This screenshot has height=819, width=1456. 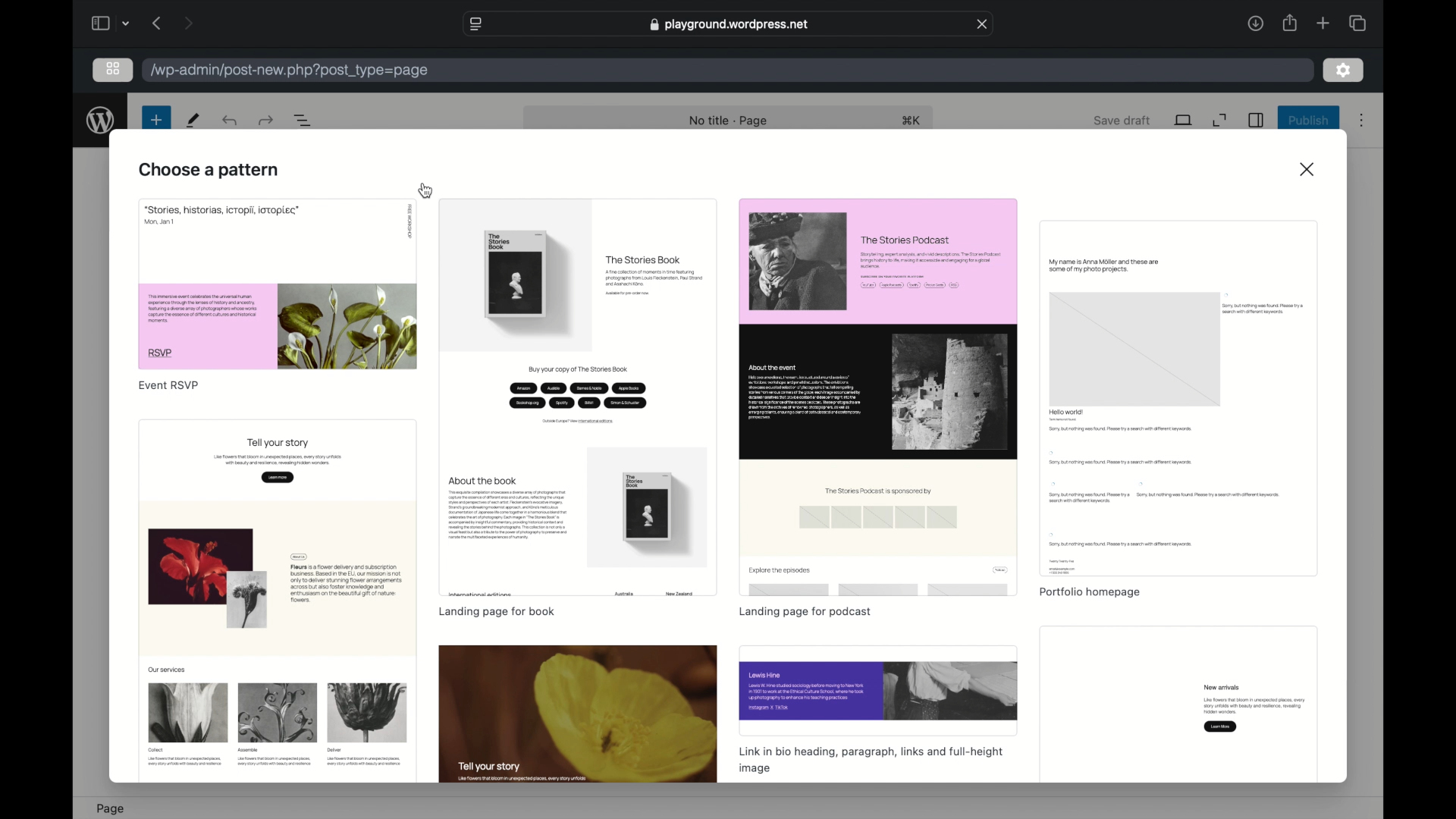 I want to click on view, so click(x=1184, y=120).